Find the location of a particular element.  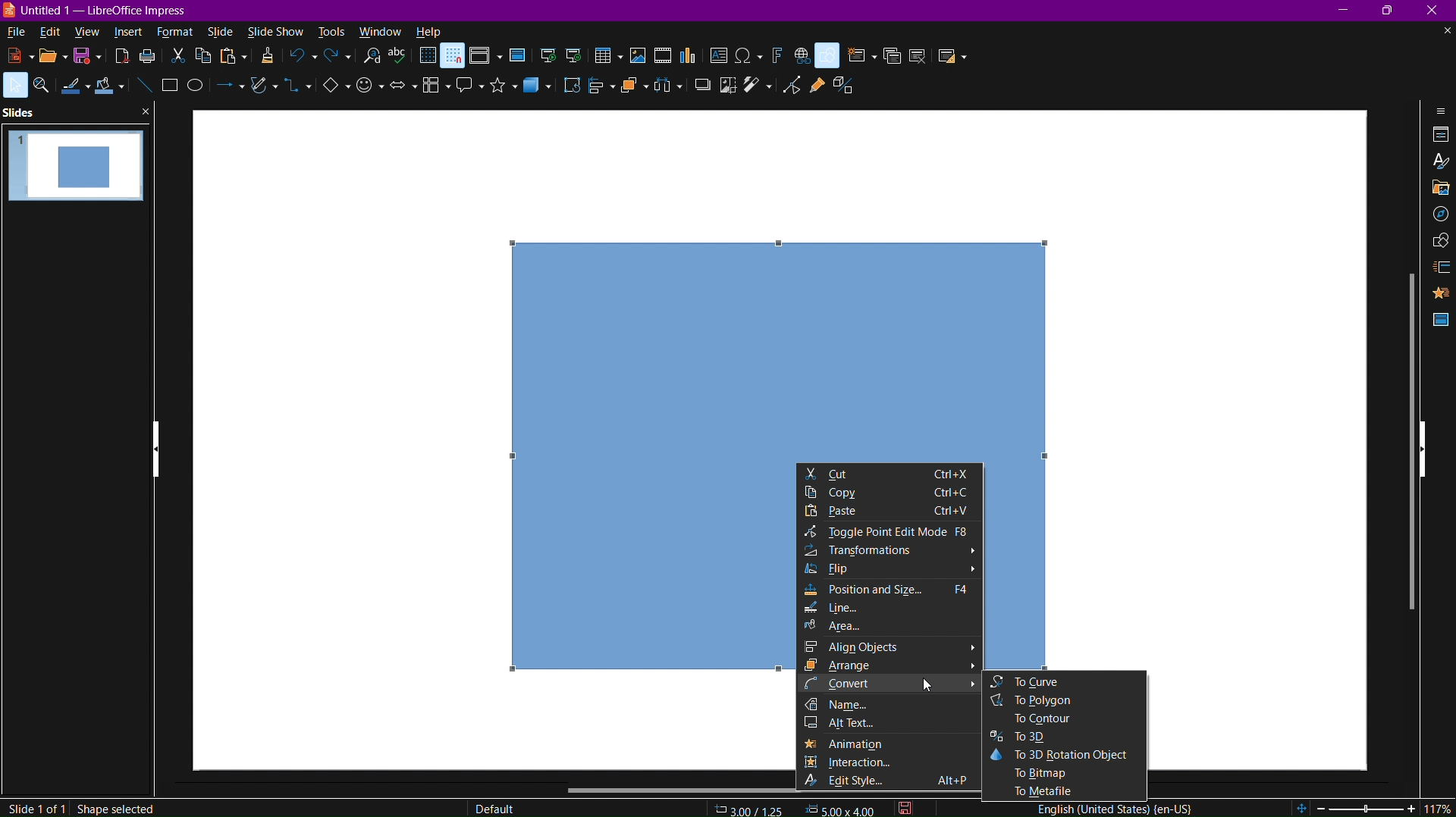

Edit Style is located at coordinates (891, 787).